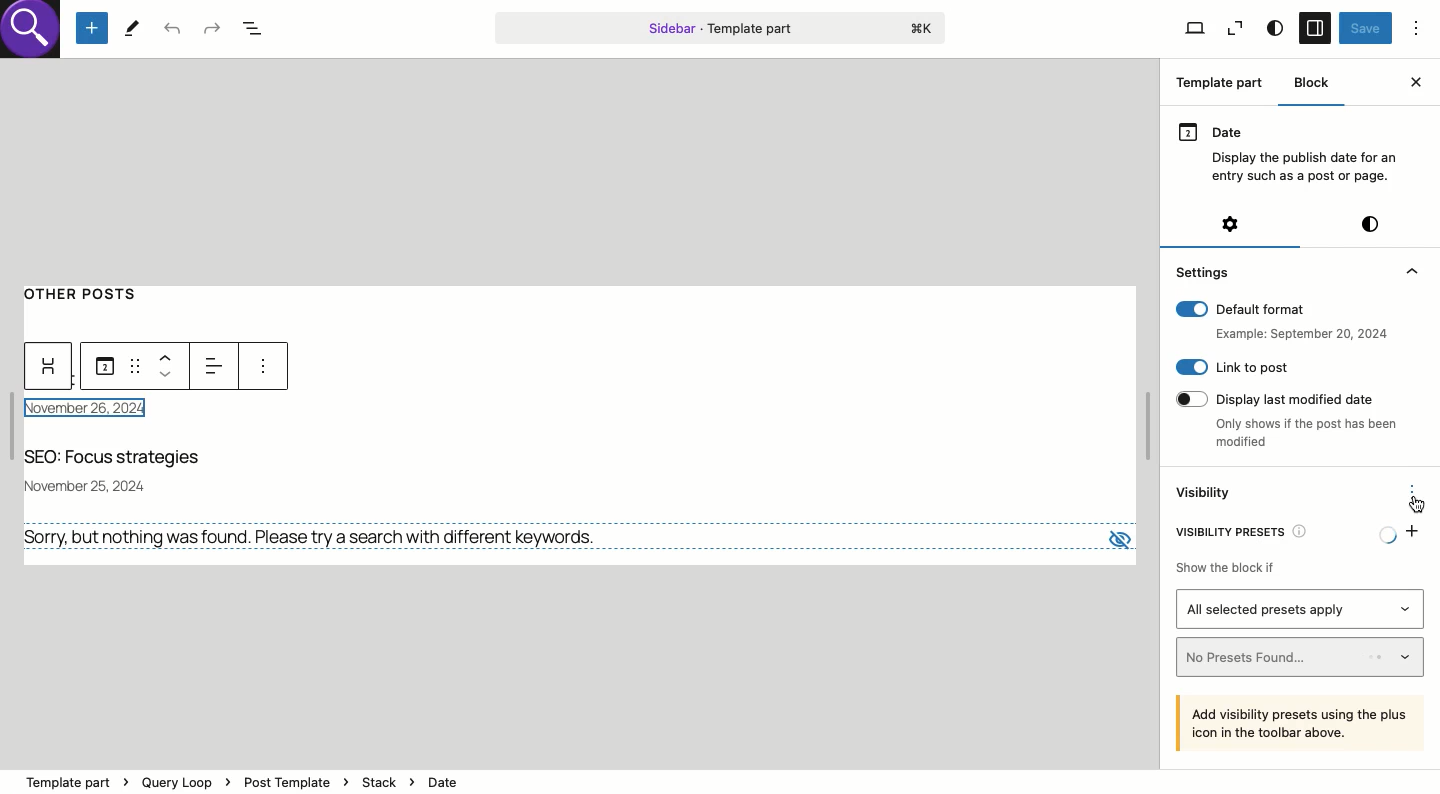  Describe the element at coordinates (259, 30) in the screenshot. I see `Document overview ` at that location.